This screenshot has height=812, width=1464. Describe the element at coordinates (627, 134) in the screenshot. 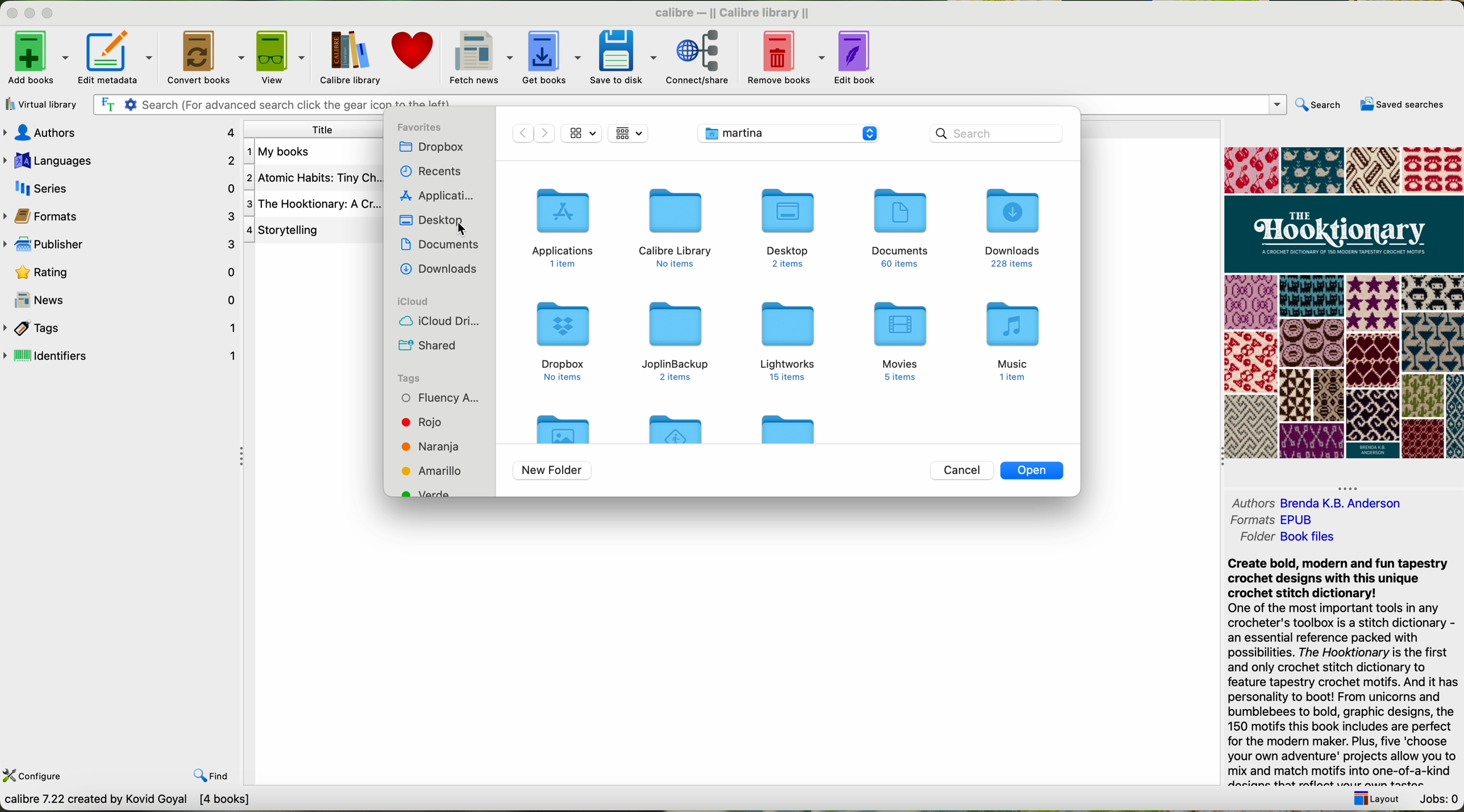

I see `file views` at that location.